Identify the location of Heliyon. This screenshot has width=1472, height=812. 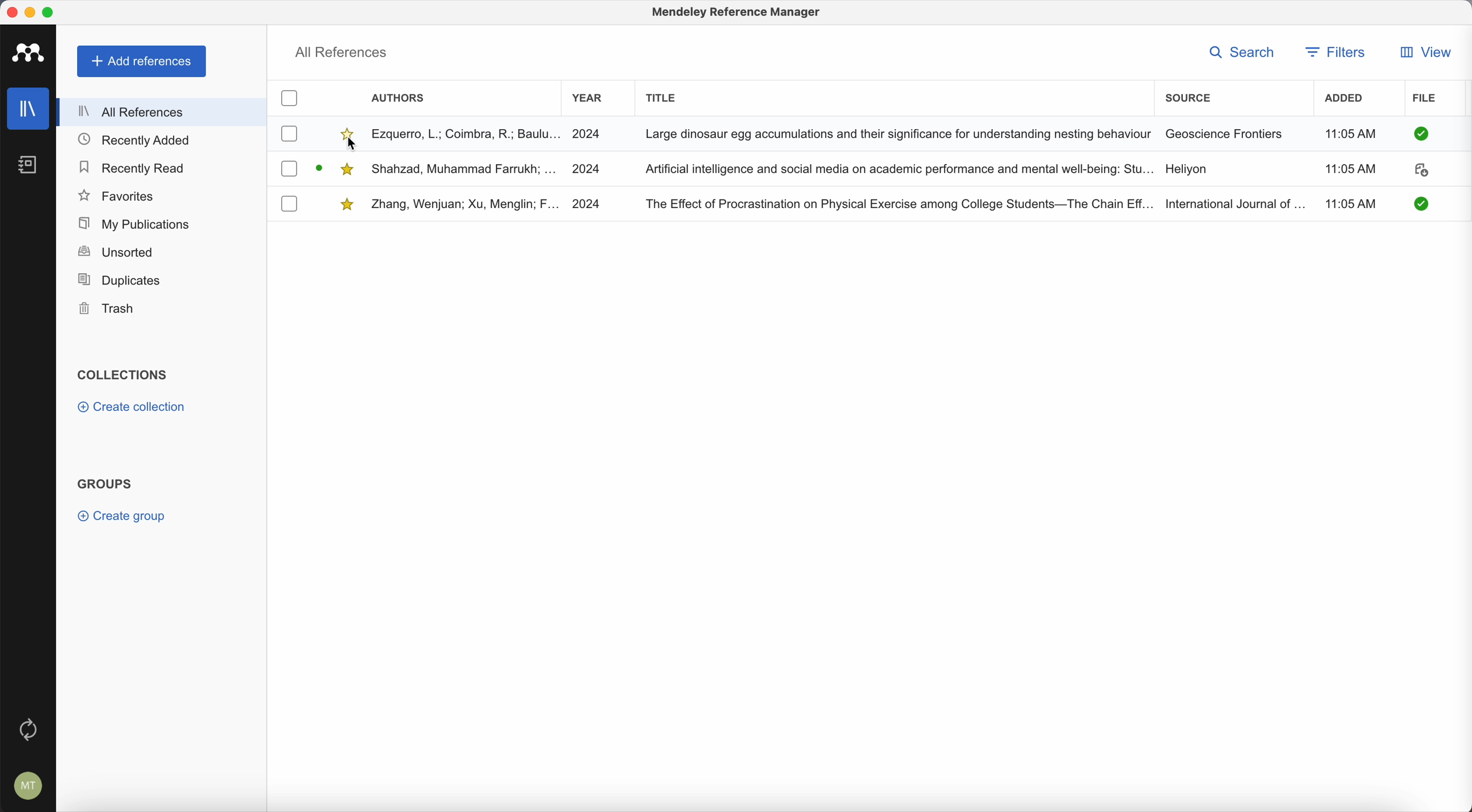
(1186, 170).